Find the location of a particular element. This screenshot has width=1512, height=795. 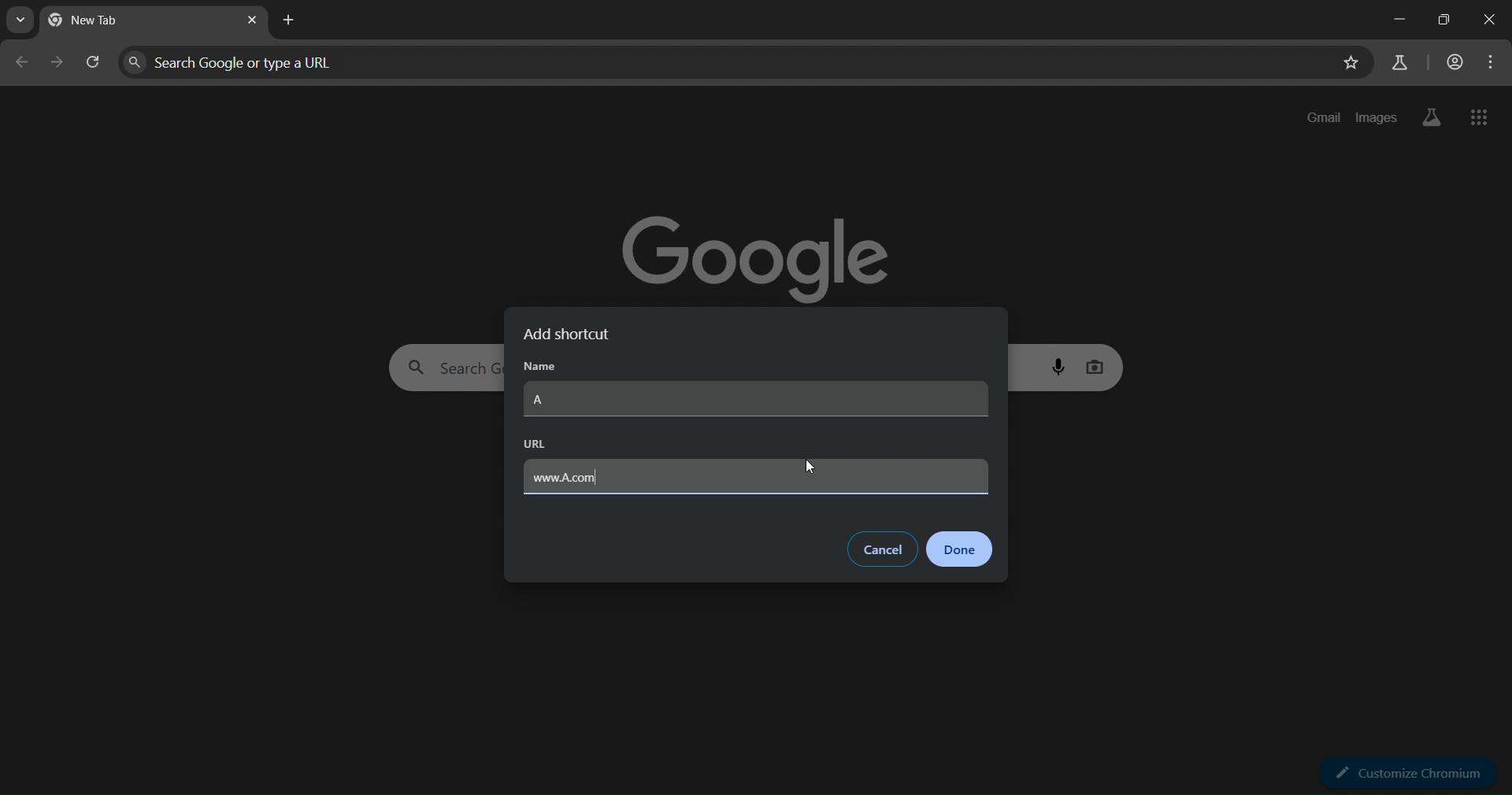

close is located at coordinates (1488, 20).